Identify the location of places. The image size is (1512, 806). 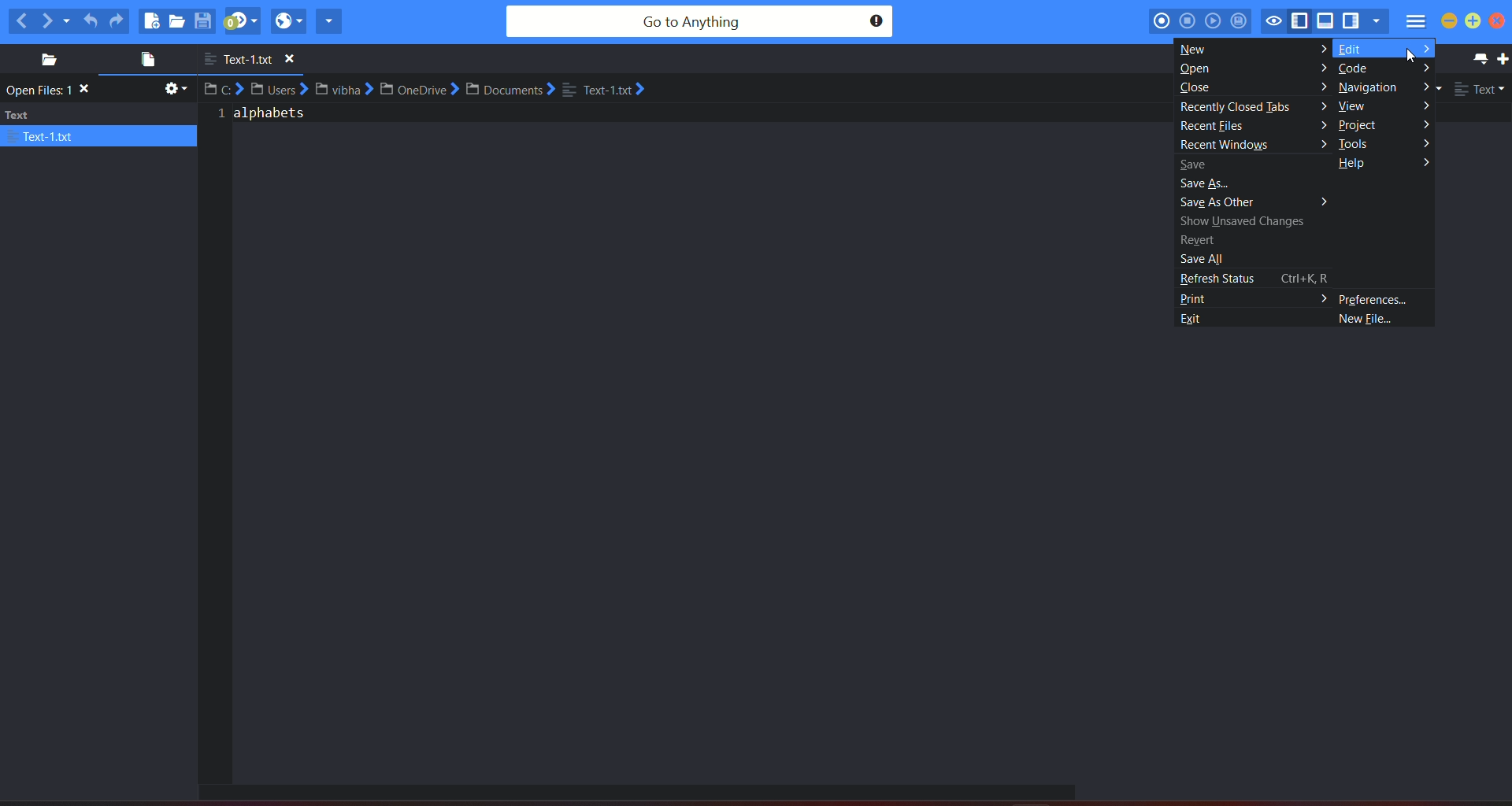
(43, 60).